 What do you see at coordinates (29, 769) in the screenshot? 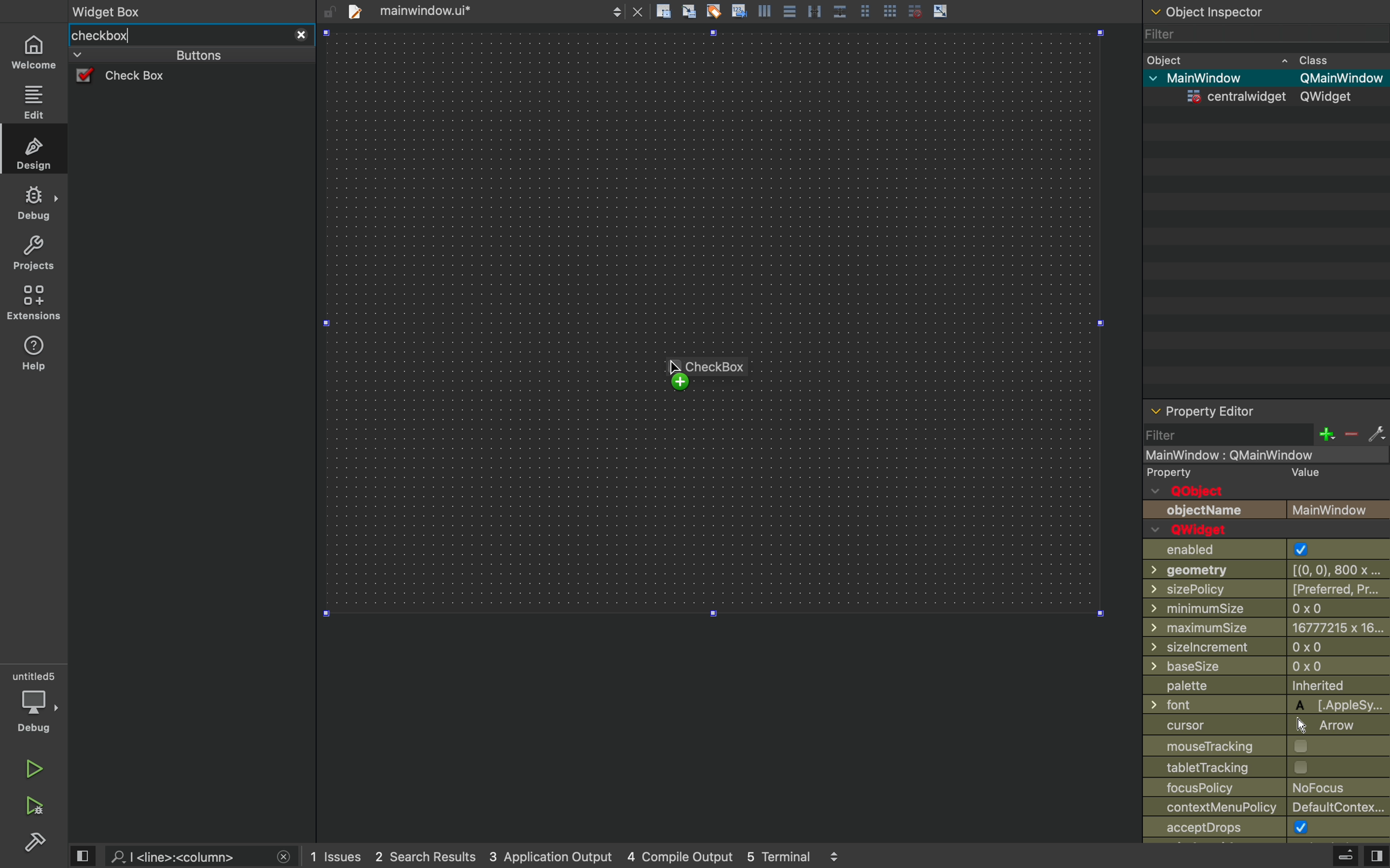
I see `run` at bounding box center [29, 769].